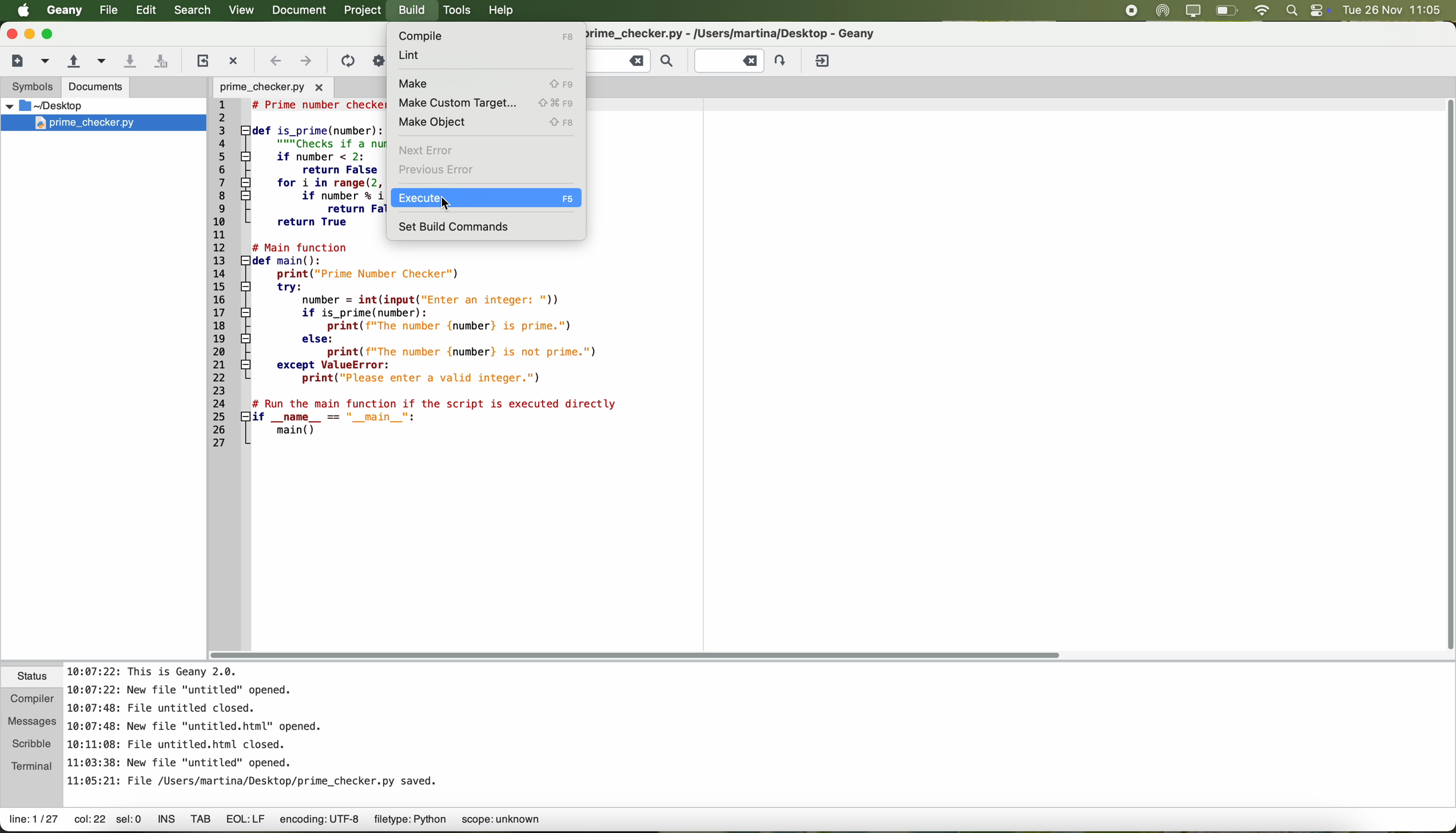  What do you see at coordinates (824, 61) in the screenshot?
I see `quit Geany` at bounding box center [824, 61].